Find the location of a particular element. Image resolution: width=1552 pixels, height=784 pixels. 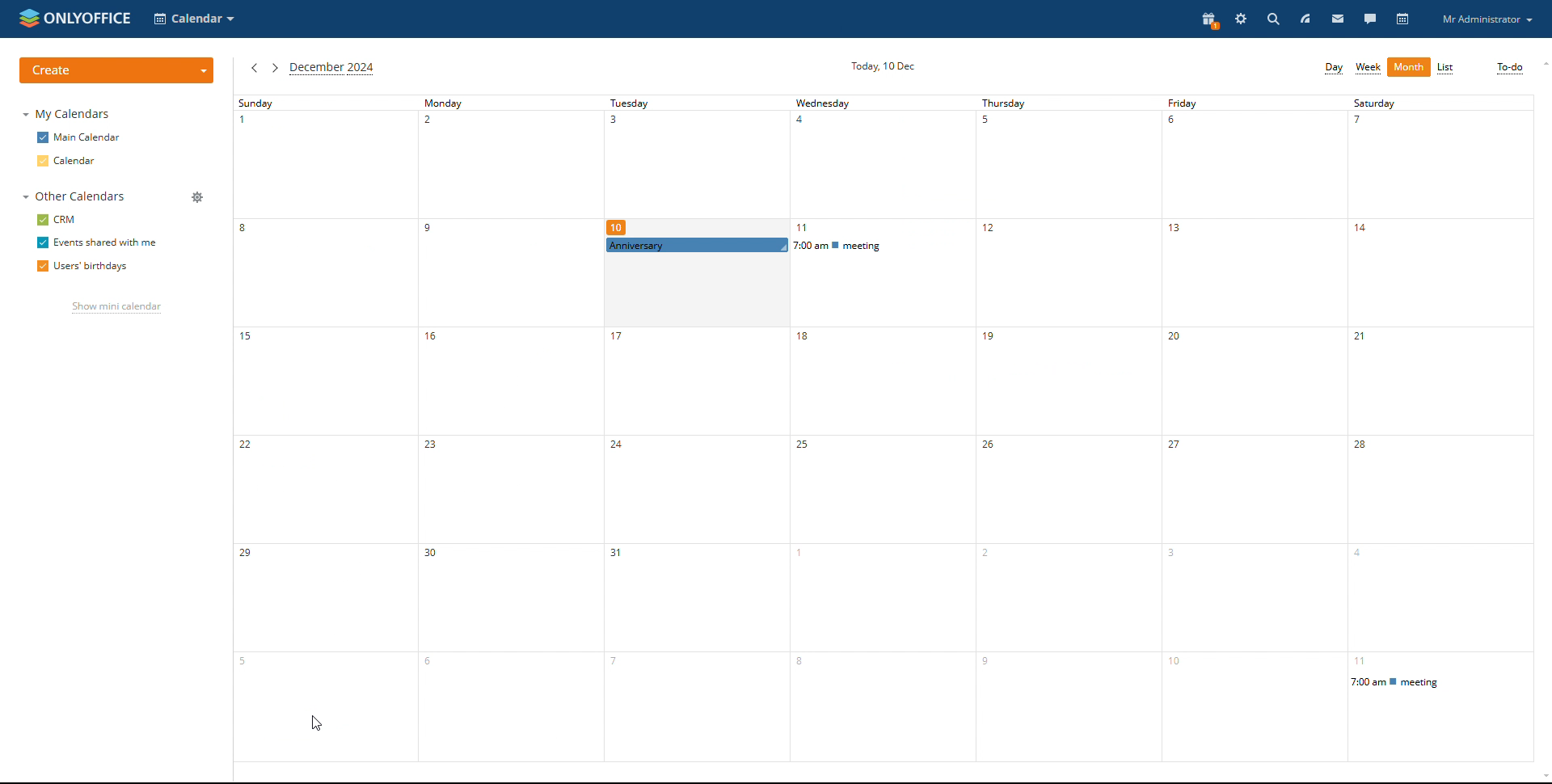

calendar is located at coordinates (82, 162).